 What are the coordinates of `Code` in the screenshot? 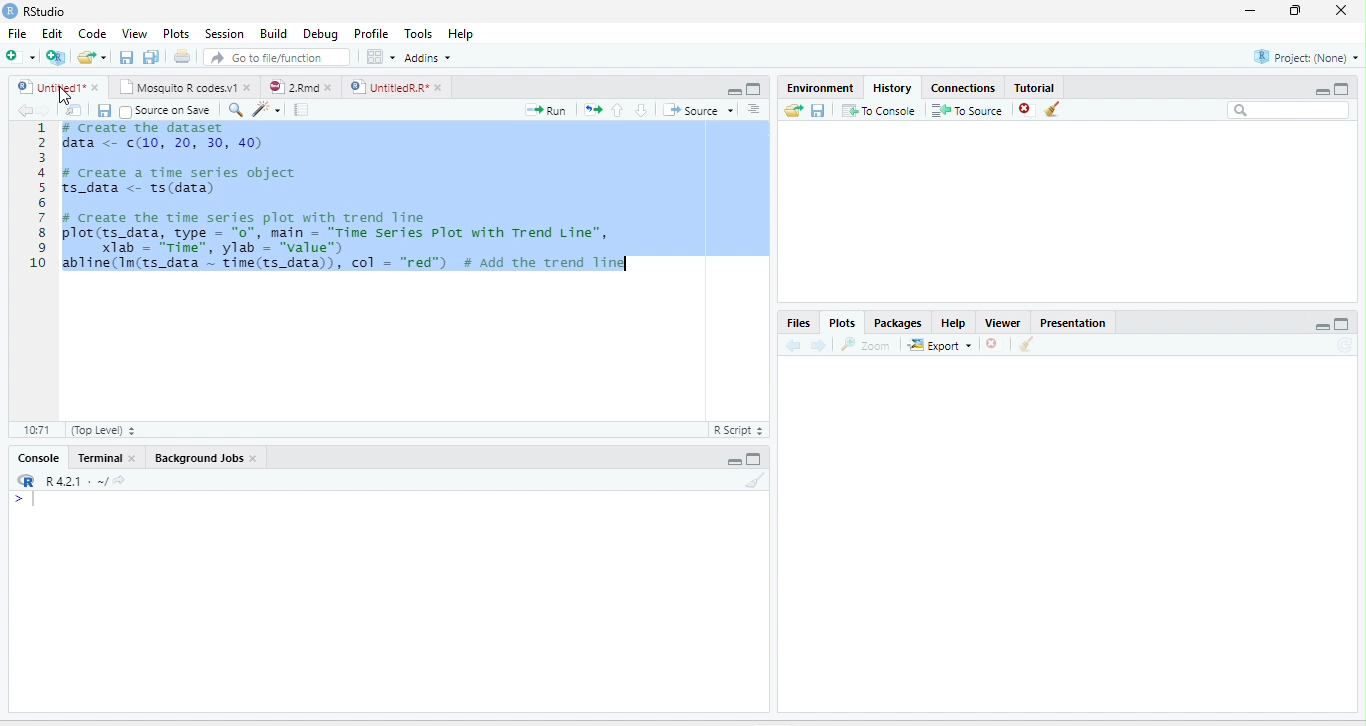 It's located at (93, 33).